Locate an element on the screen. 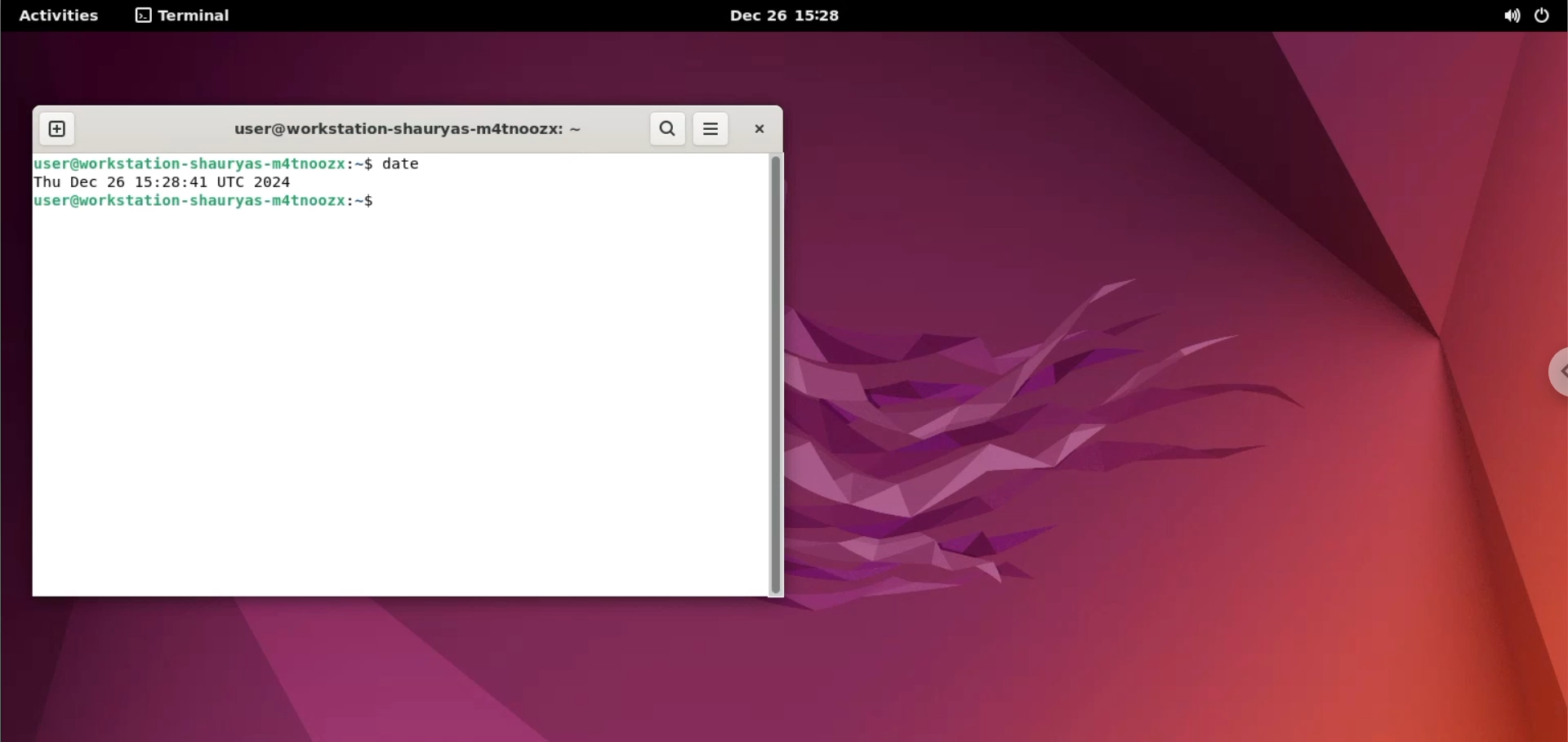  Activities is located at coordinates (56, 17).